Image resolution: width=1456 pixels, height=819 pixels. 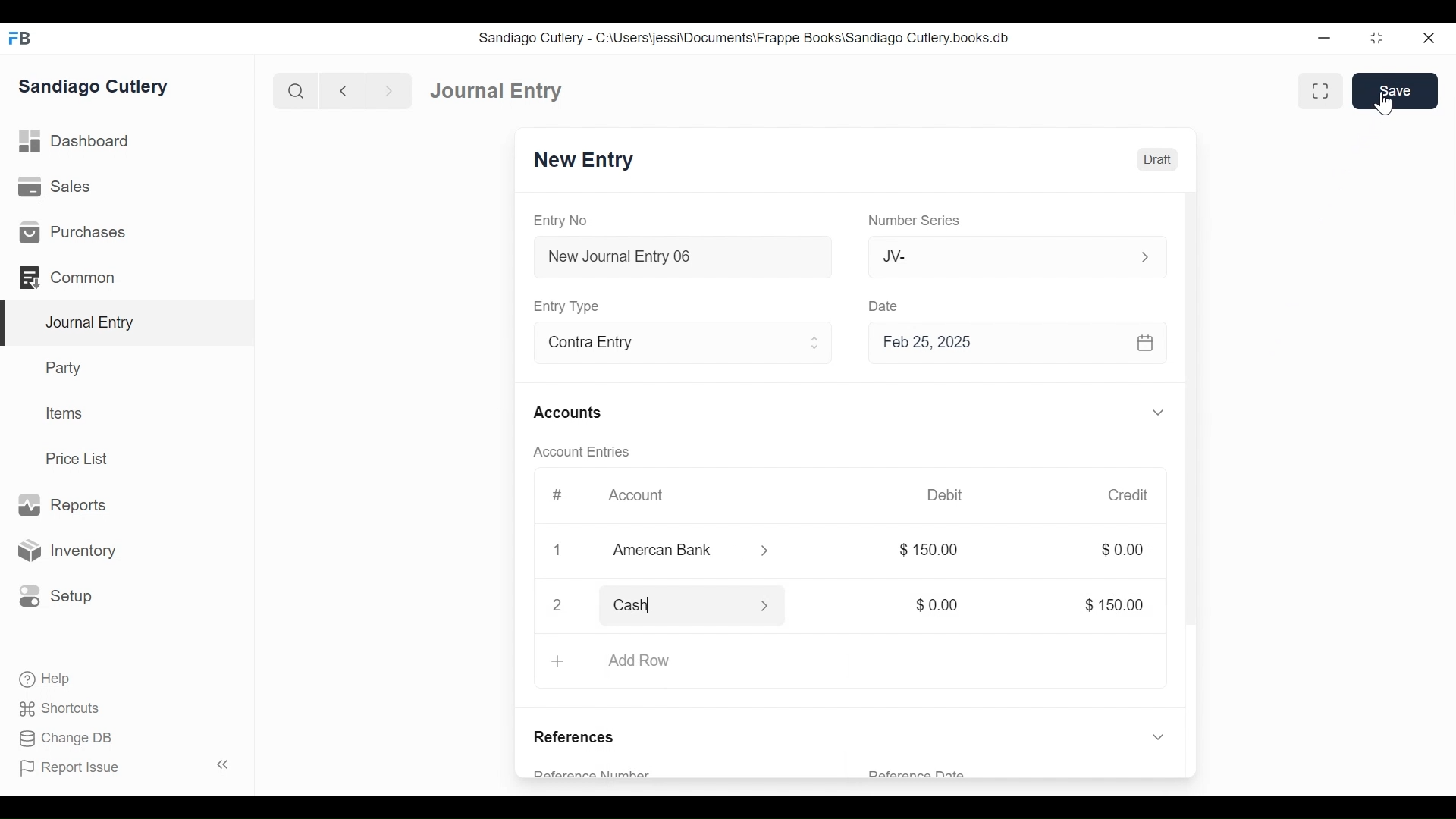 I want to click on Common, so click(x=75, y=278).